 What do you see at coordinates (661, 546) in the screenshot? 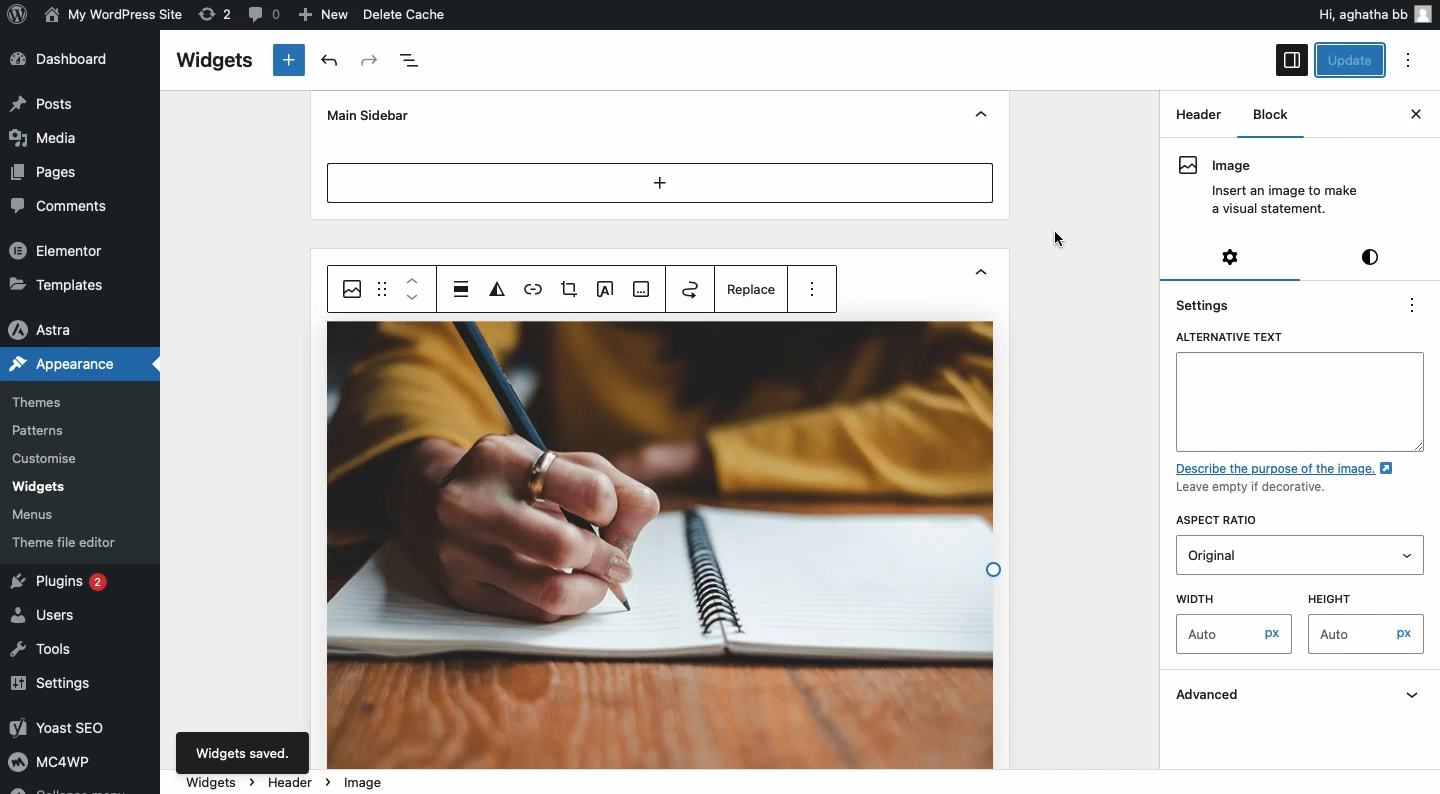
I see `Header image added` at bounding box center [661, 546].